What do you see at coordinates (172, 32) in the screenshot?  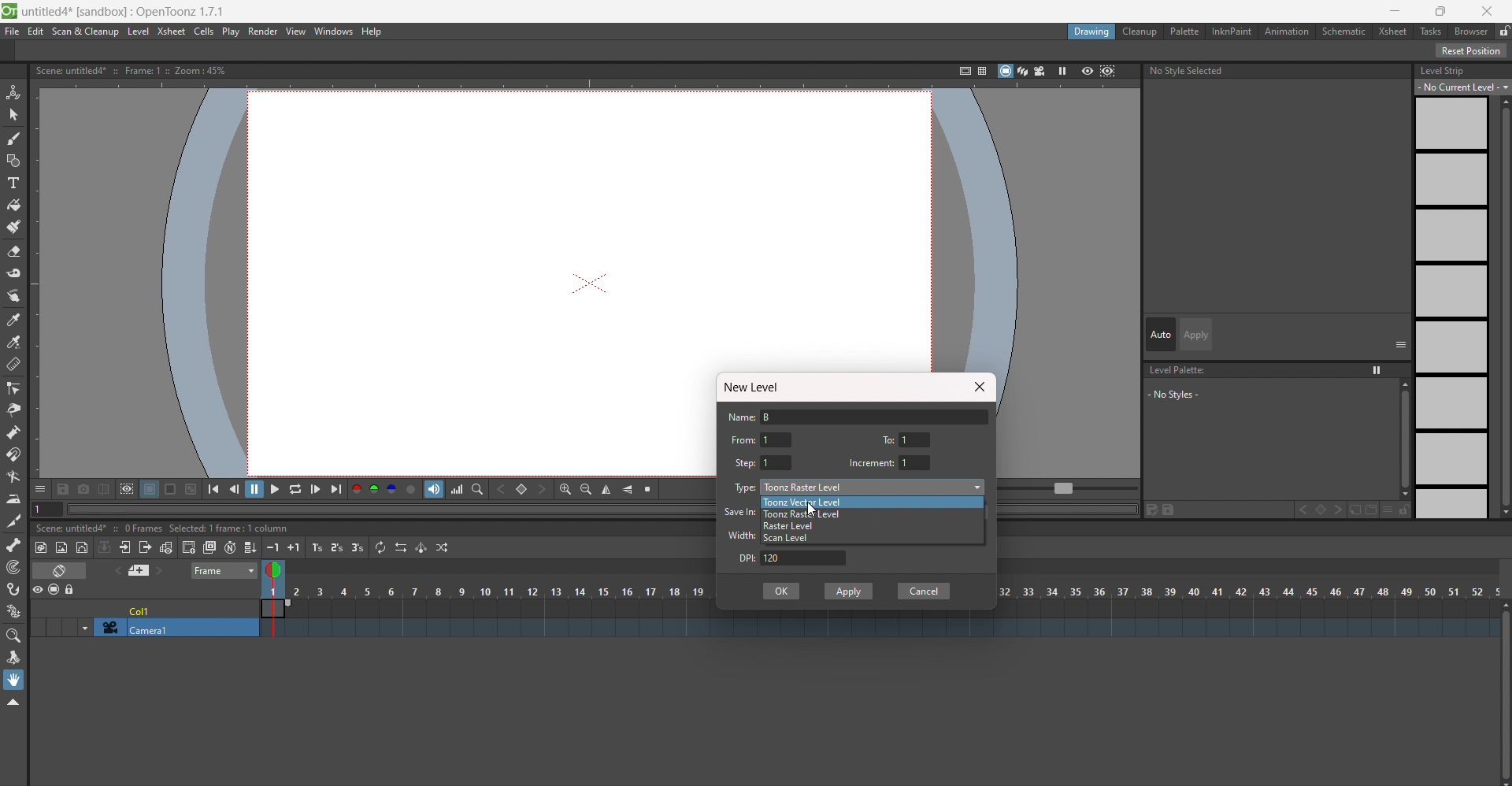 I see `xsheet` at bounding box center [172, 32].